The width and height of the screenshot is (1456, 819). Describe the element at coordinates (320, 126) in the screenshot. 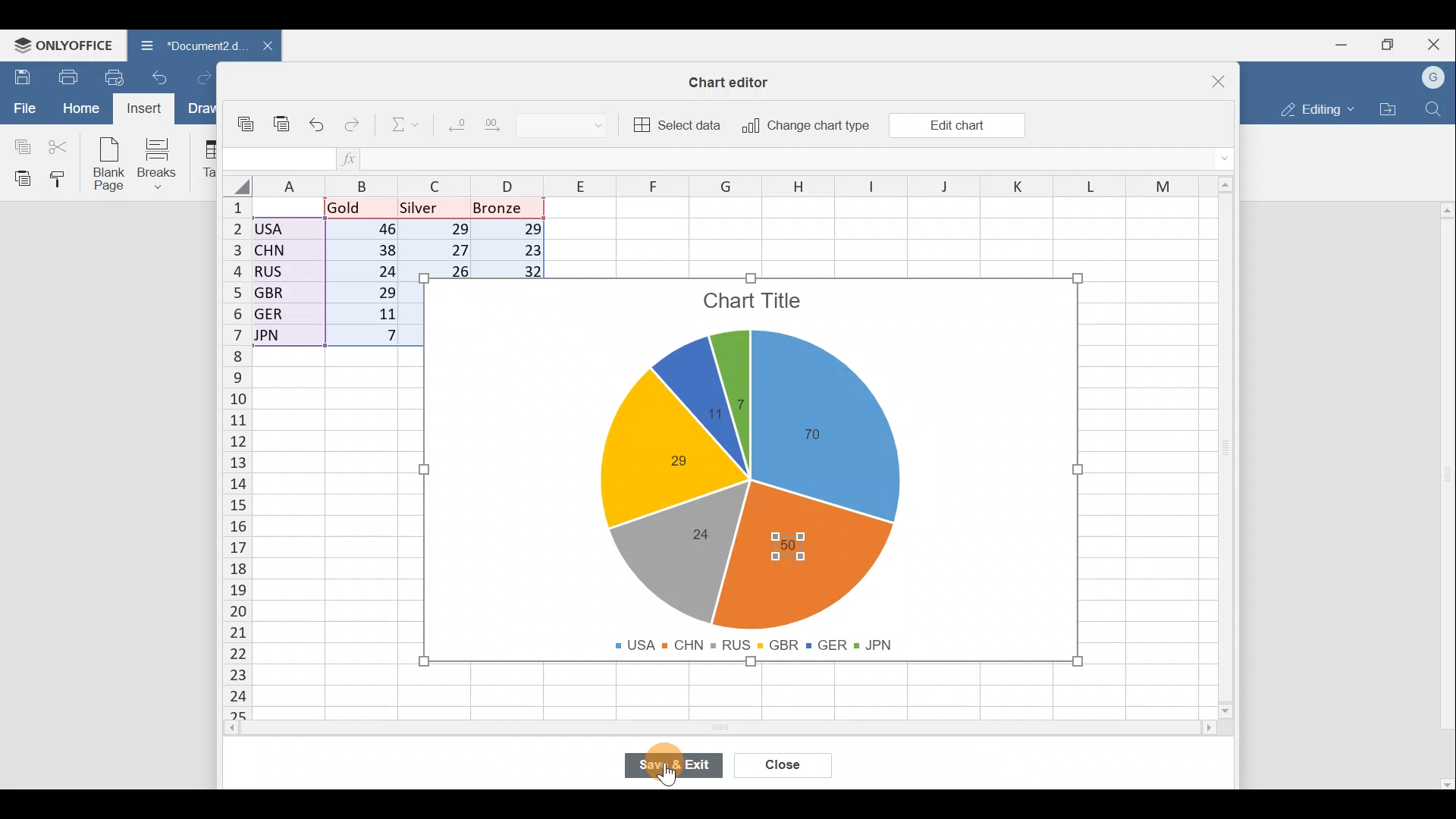

I see `Undo` at that location.